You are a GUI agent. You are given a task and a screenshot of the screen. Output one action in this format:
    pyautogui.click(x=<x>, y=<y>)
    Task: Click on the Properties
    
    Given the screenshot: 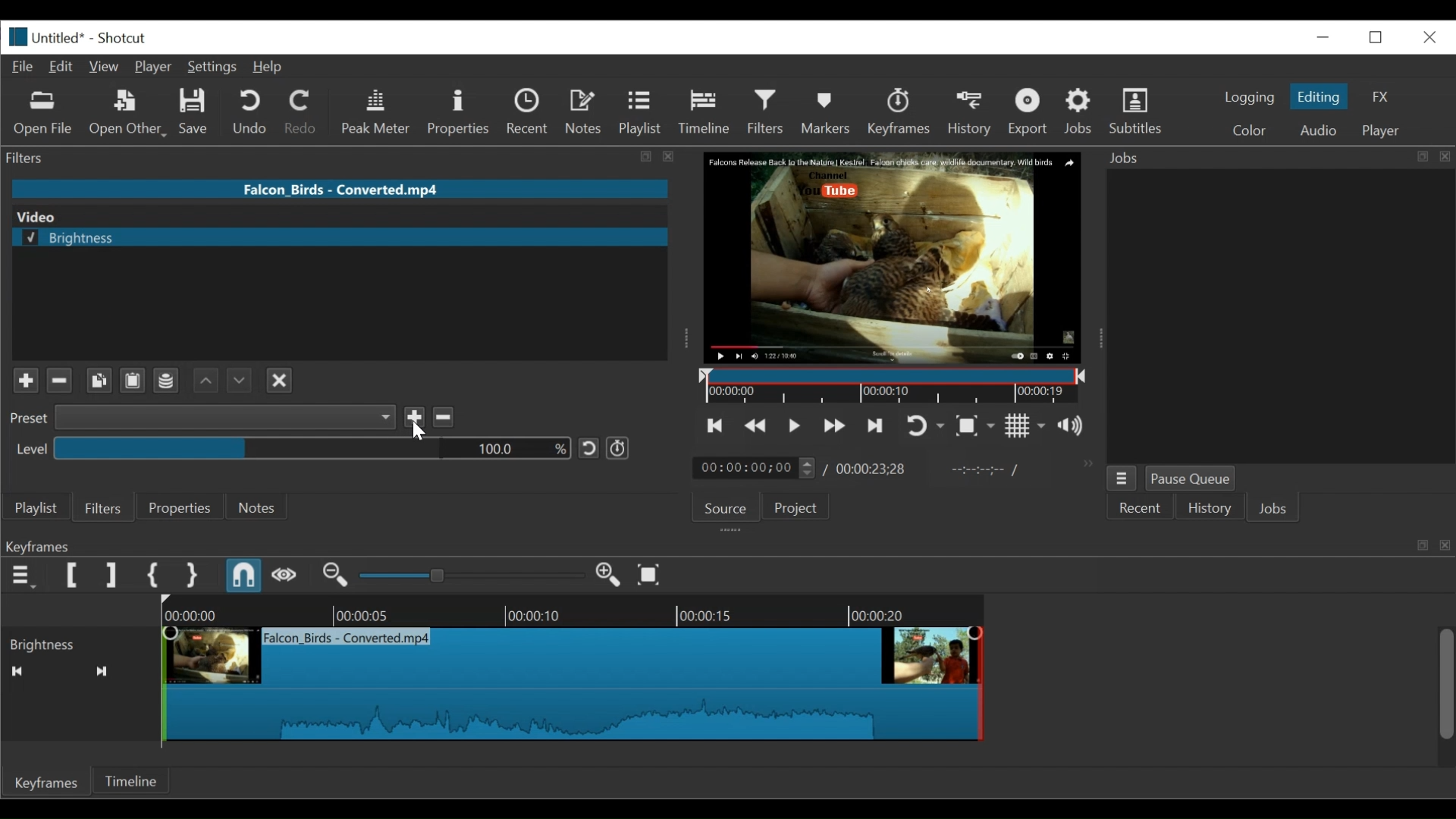 What is the action you would take?
    pyautogui.click(x=183, y=507)
    